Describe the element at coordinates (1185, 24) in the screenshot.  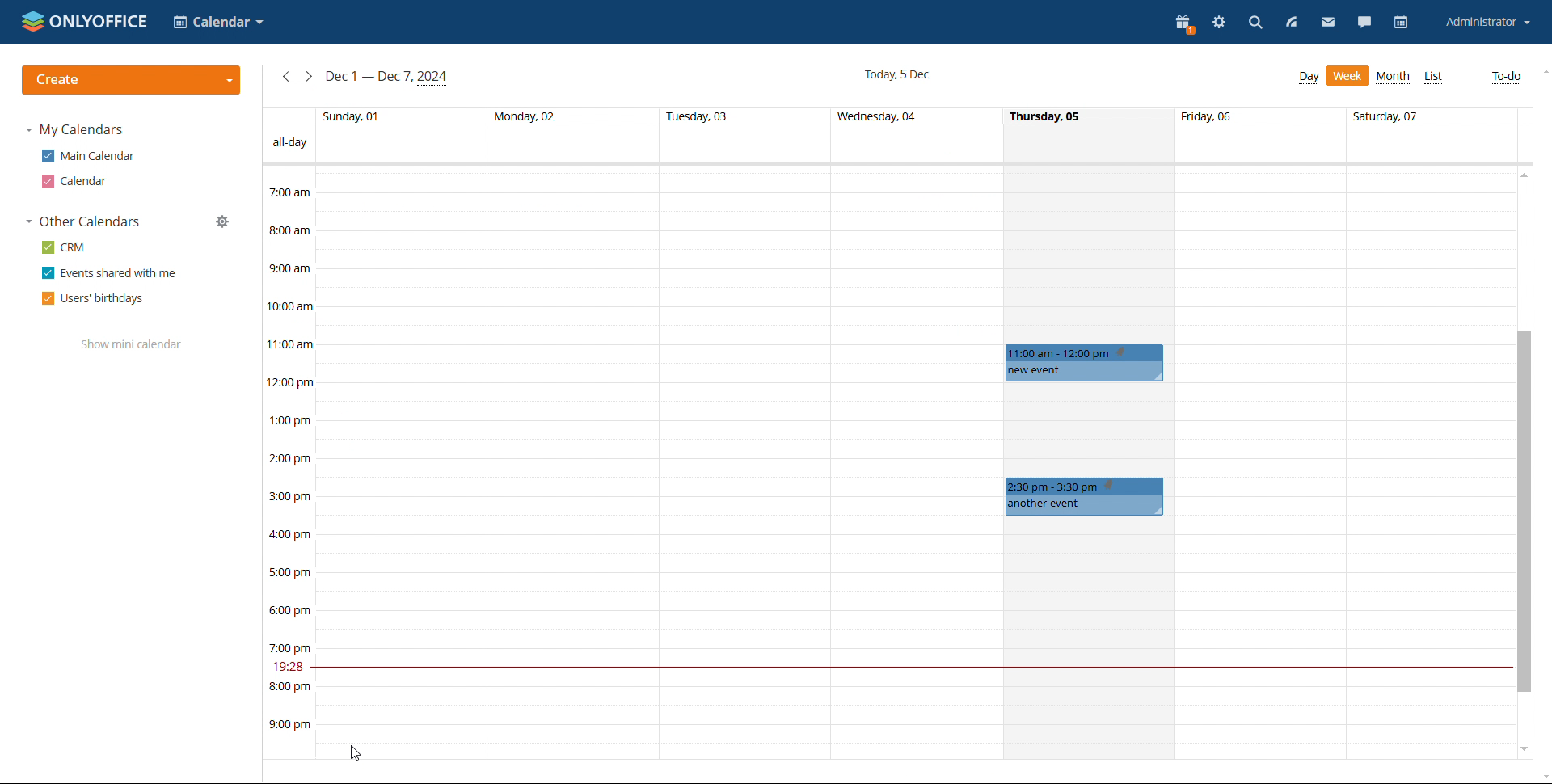
I see `present` at that location.